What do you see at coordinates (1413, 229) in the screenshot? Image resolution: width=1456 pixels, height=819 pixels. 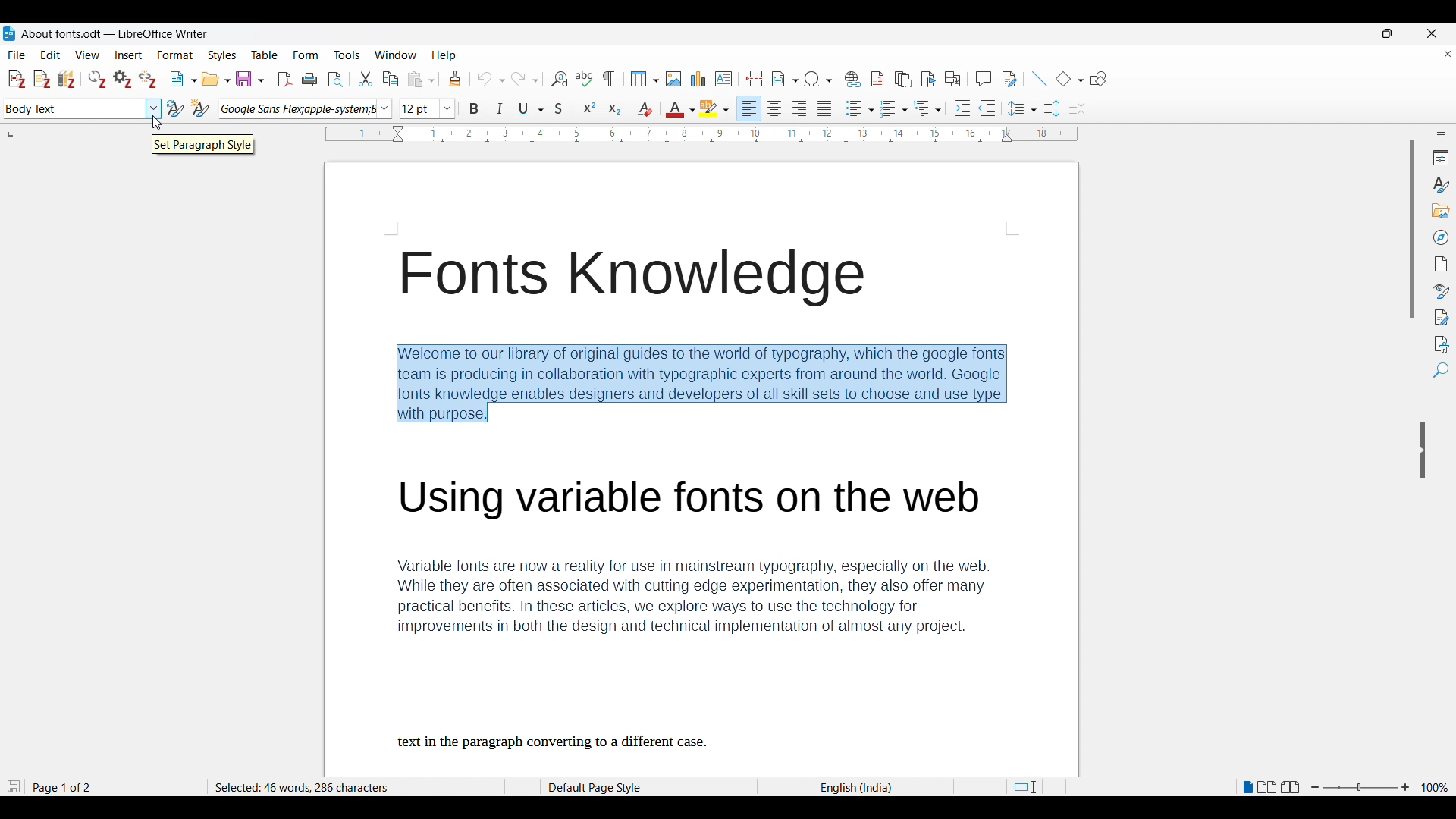 I see `Vertical slide bar` at bounding box center [1413, 229].